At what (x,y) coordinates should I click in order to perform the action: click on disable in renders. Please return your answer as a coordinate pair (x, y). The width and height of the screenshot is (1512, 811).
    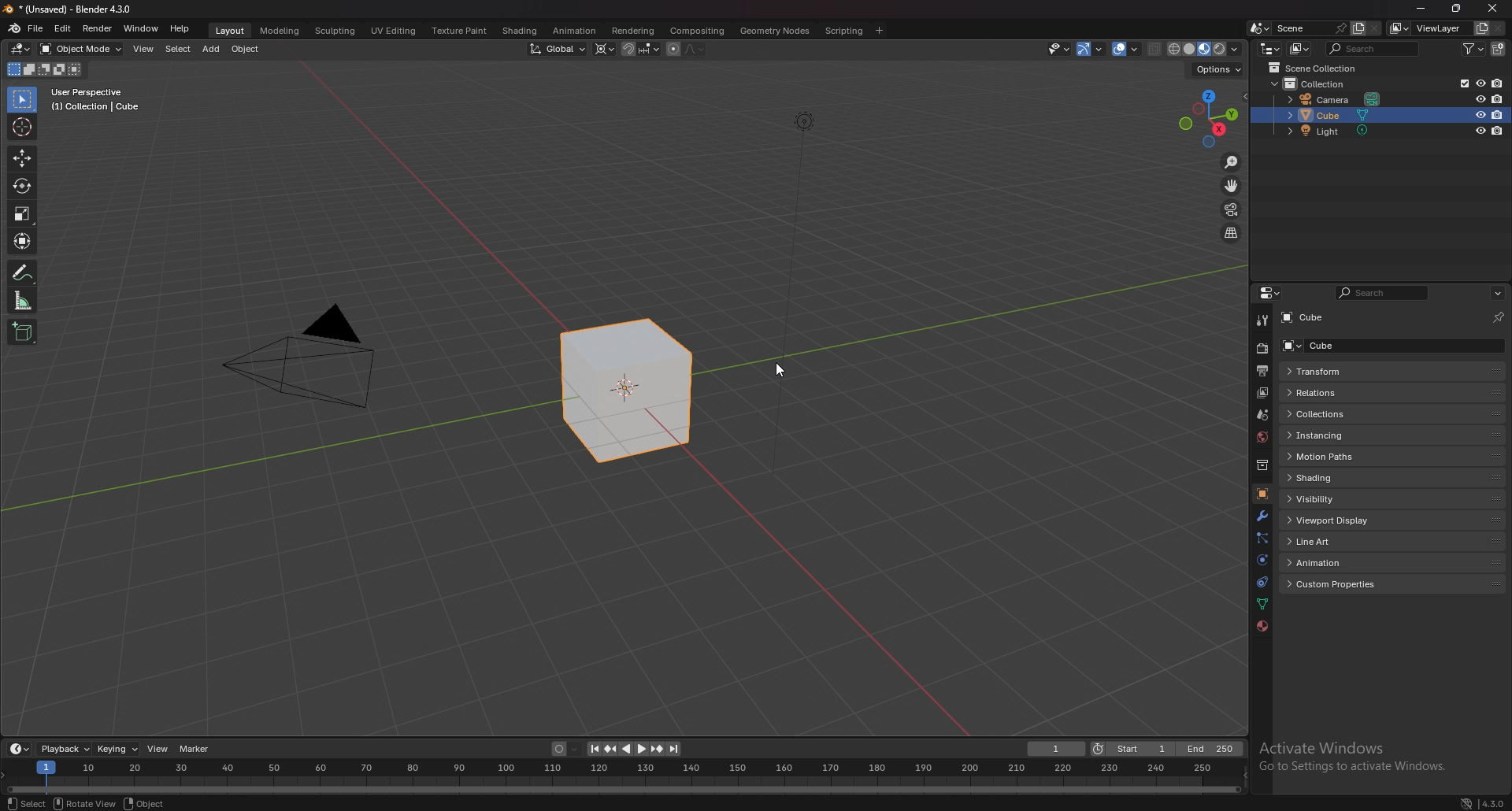
    Looking at the image, I should click on (1498, 83).